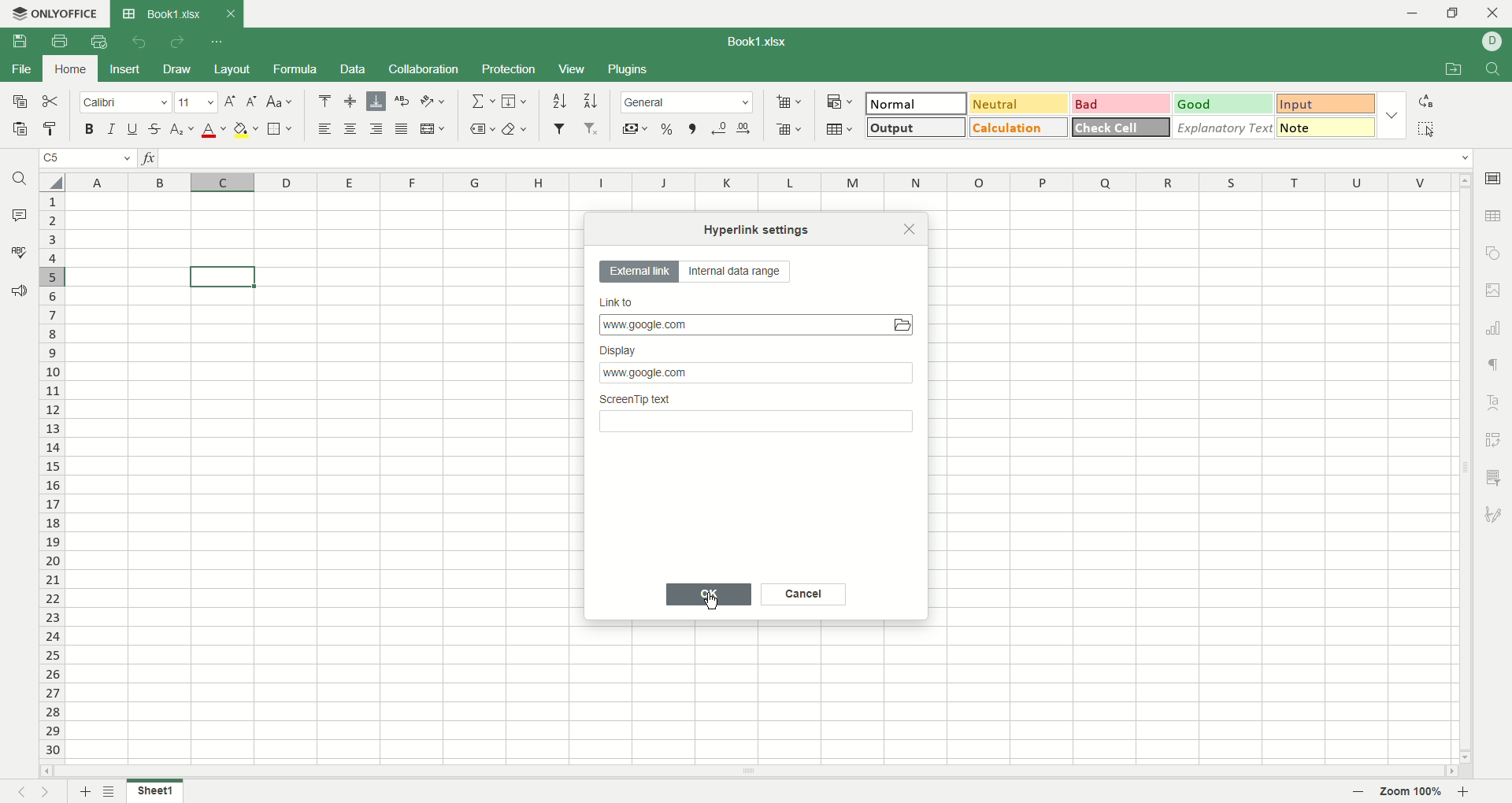 Image resolution: width=1512 pixels, height=803 pixels. I want to click on text art settings, so click(1497, 399).